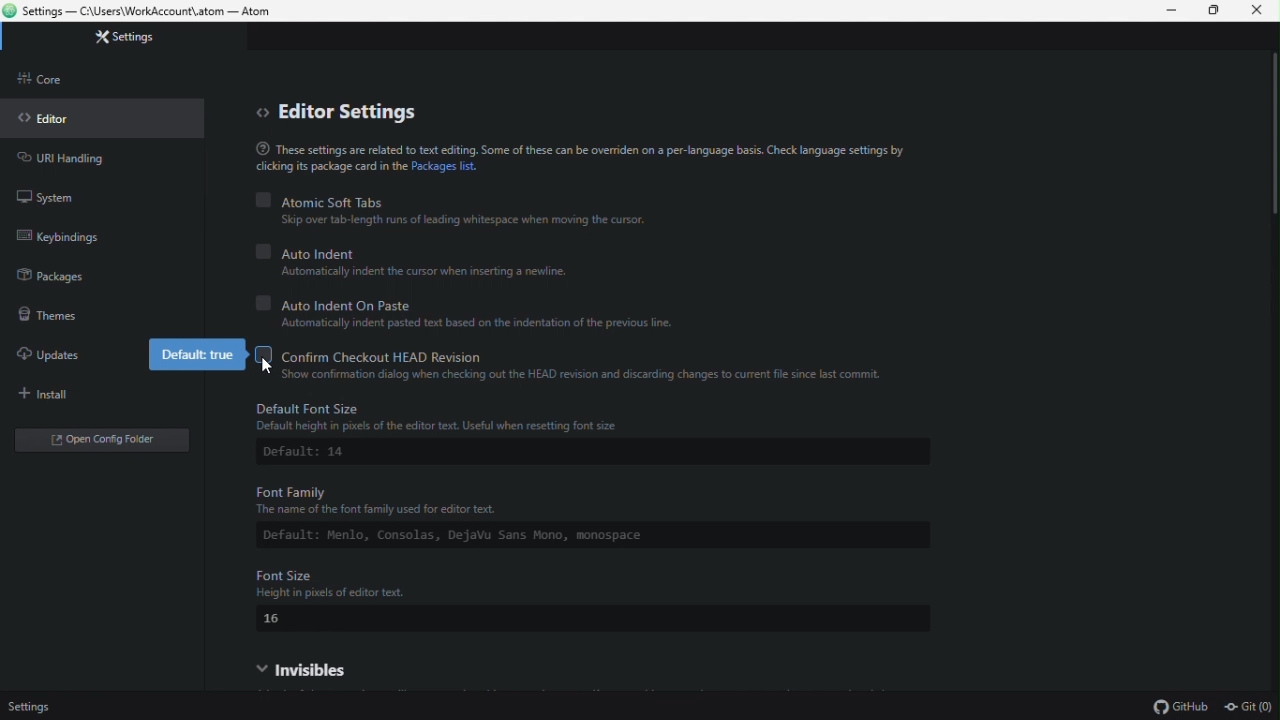  I want to click on Key binding, so click(69, 238).